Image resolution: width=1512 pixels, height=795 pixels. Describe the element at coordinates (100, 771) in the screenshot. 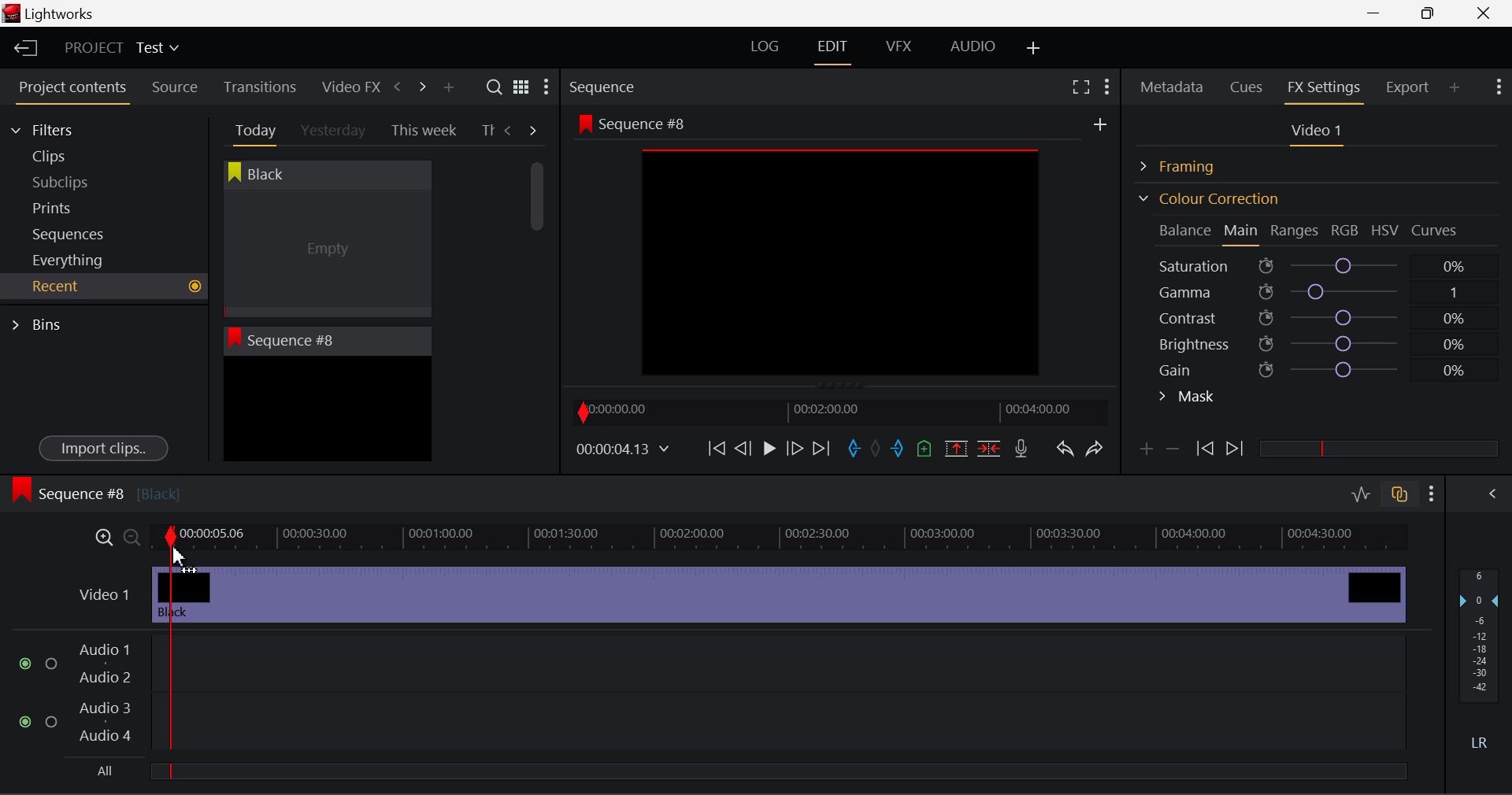

I see `All` at that location.